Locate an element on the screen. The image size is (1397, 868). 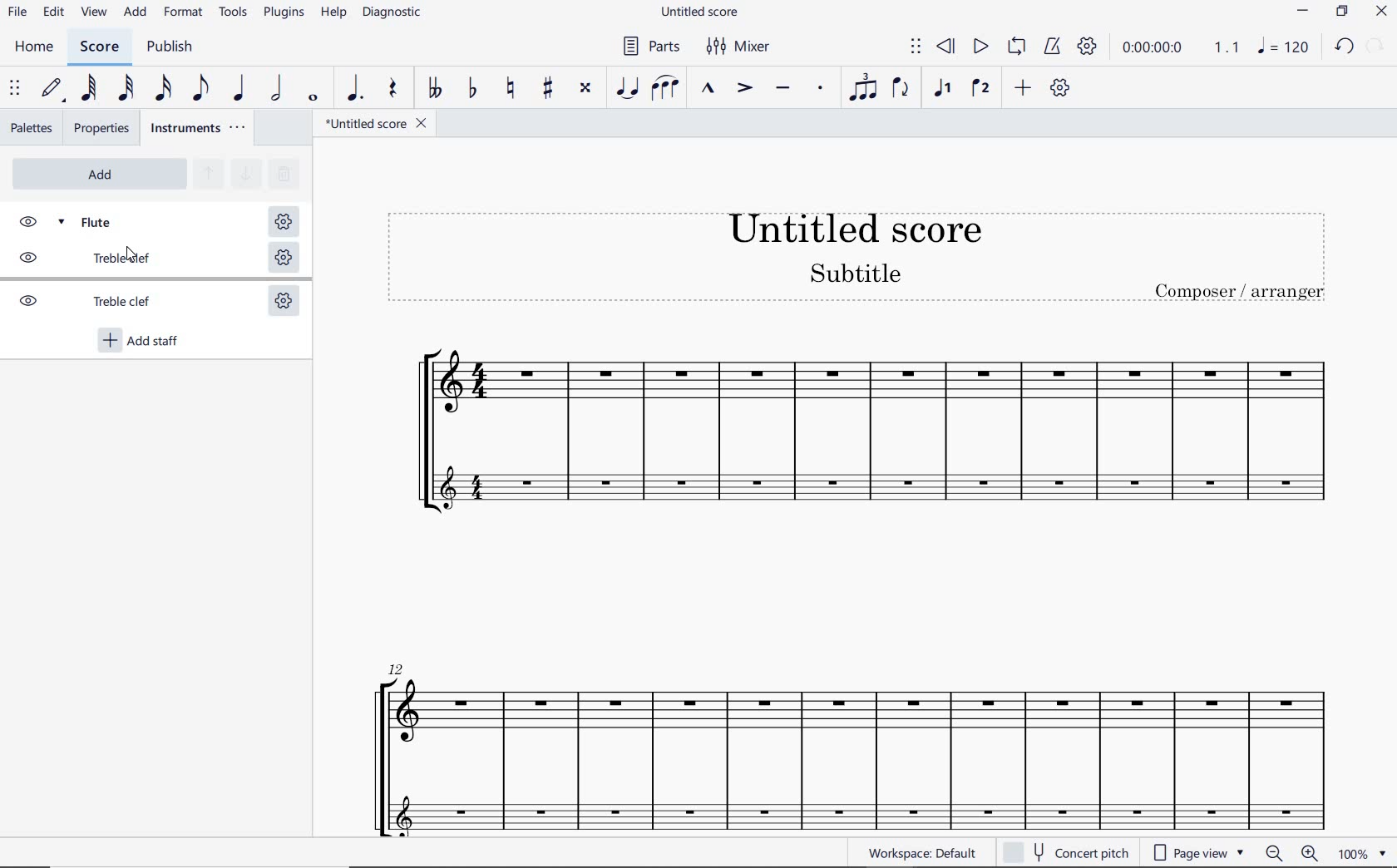
page view is located at coordinates (1197, 851).